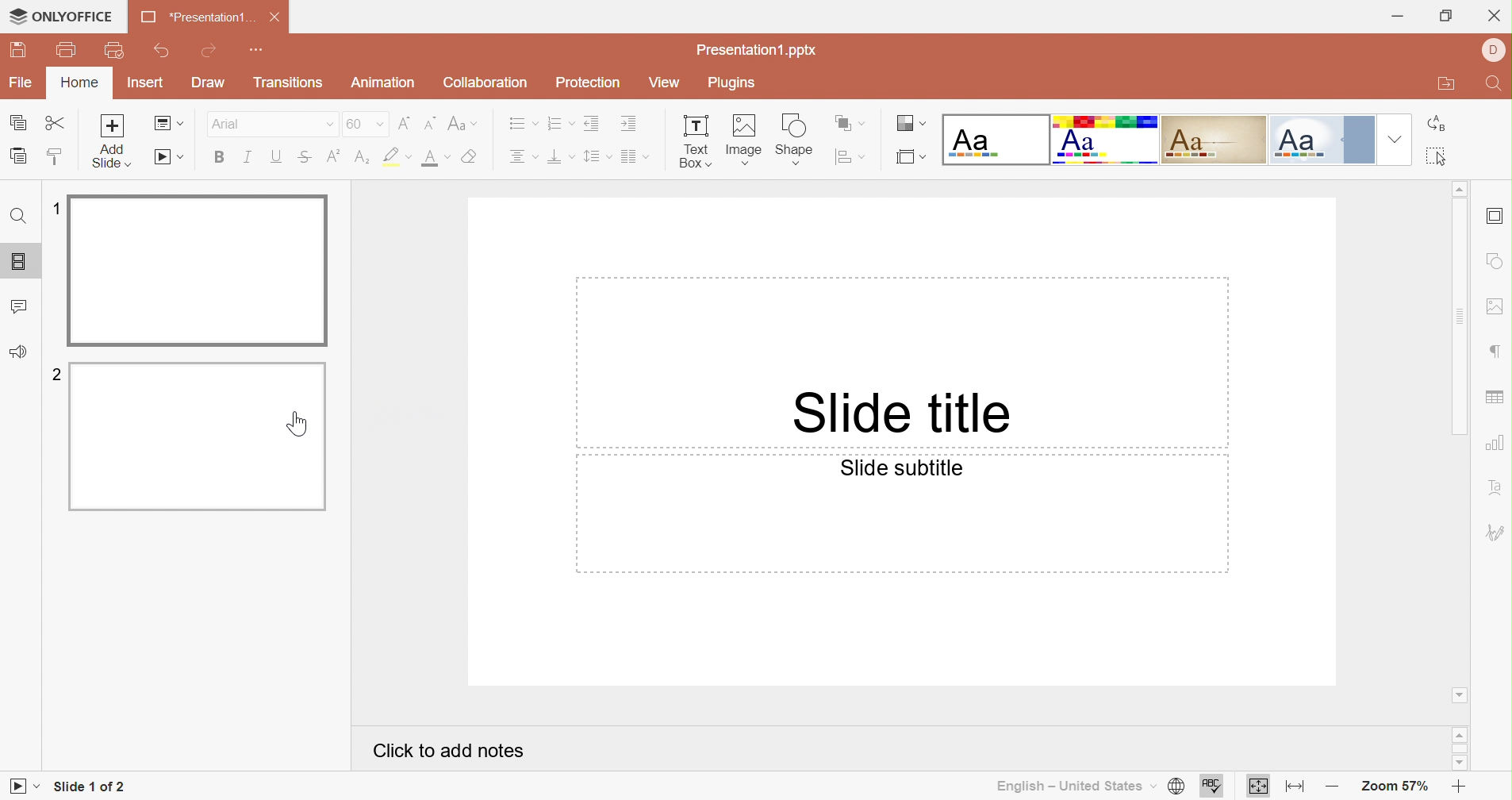 This screenshot has height=800, width=1512. I want to click on Click to add notes, so click(449, 752).